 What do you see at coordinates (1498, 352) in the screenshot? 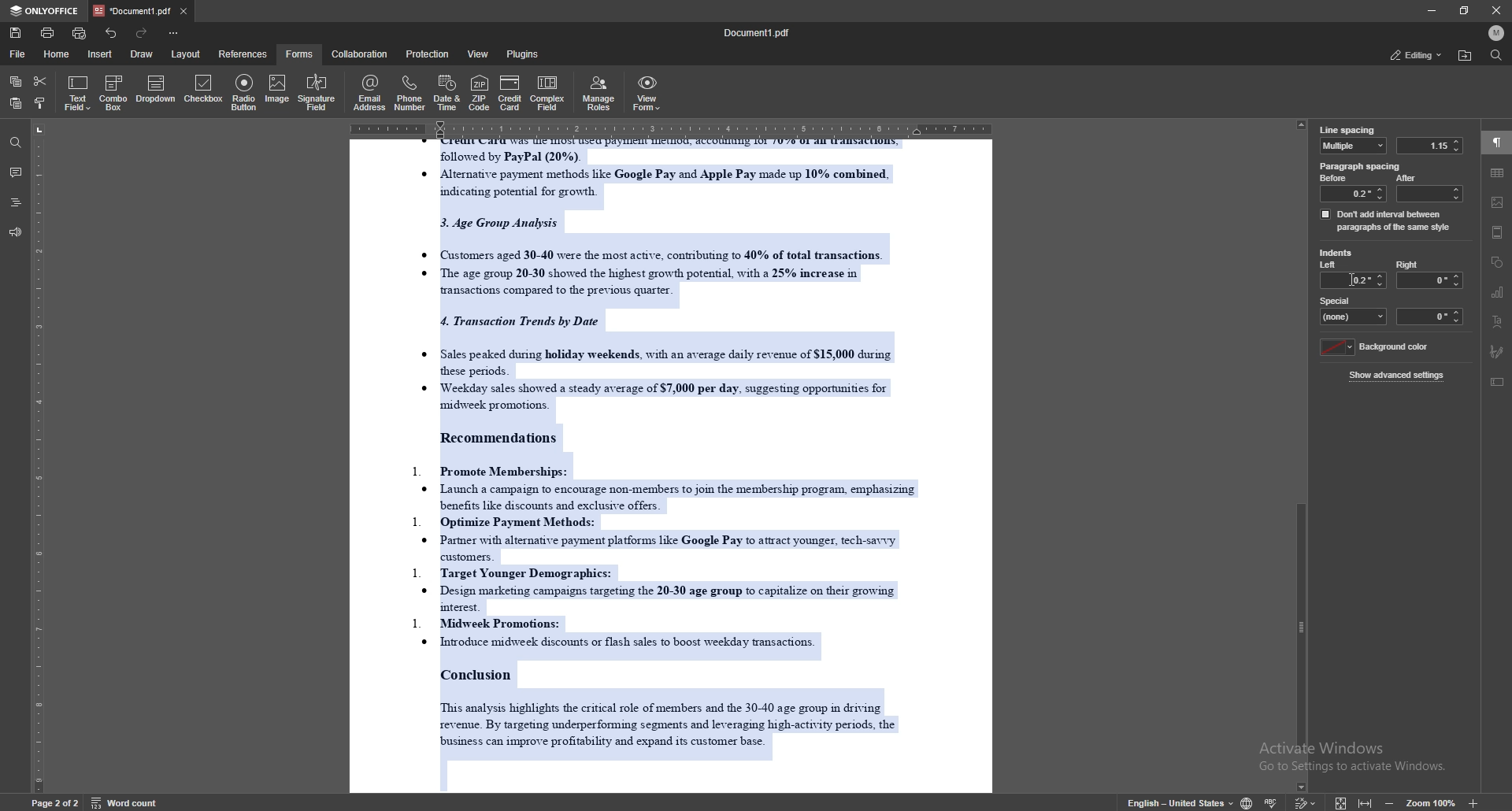
I see `signature field` at bounding box center [1498, 352].